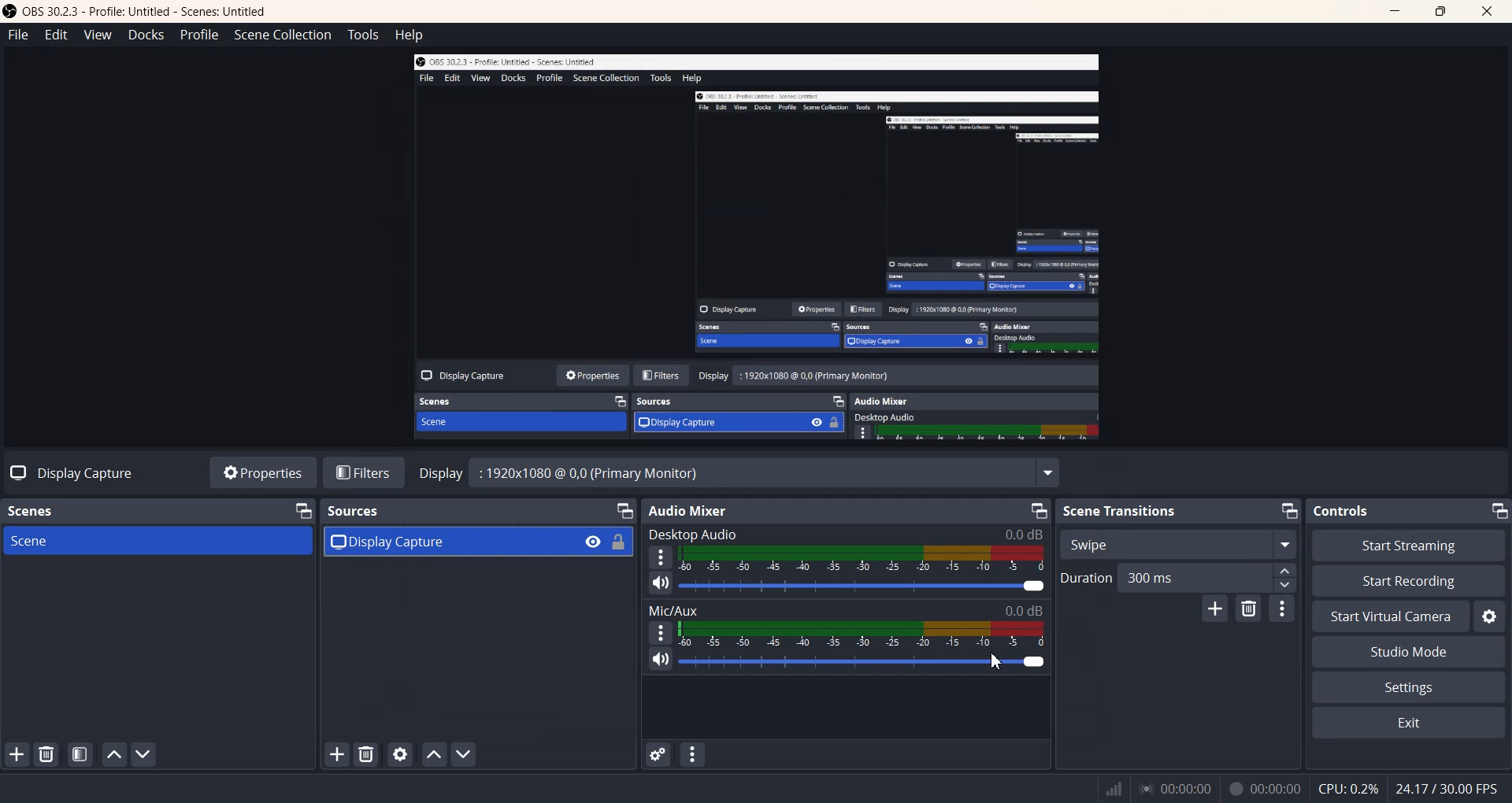 Image resolution: width=1512 pixels, height=803 pixels. Describe the element at coordinates (1265, 789) in the screenshot. I see `& 00:00:00` at that location.